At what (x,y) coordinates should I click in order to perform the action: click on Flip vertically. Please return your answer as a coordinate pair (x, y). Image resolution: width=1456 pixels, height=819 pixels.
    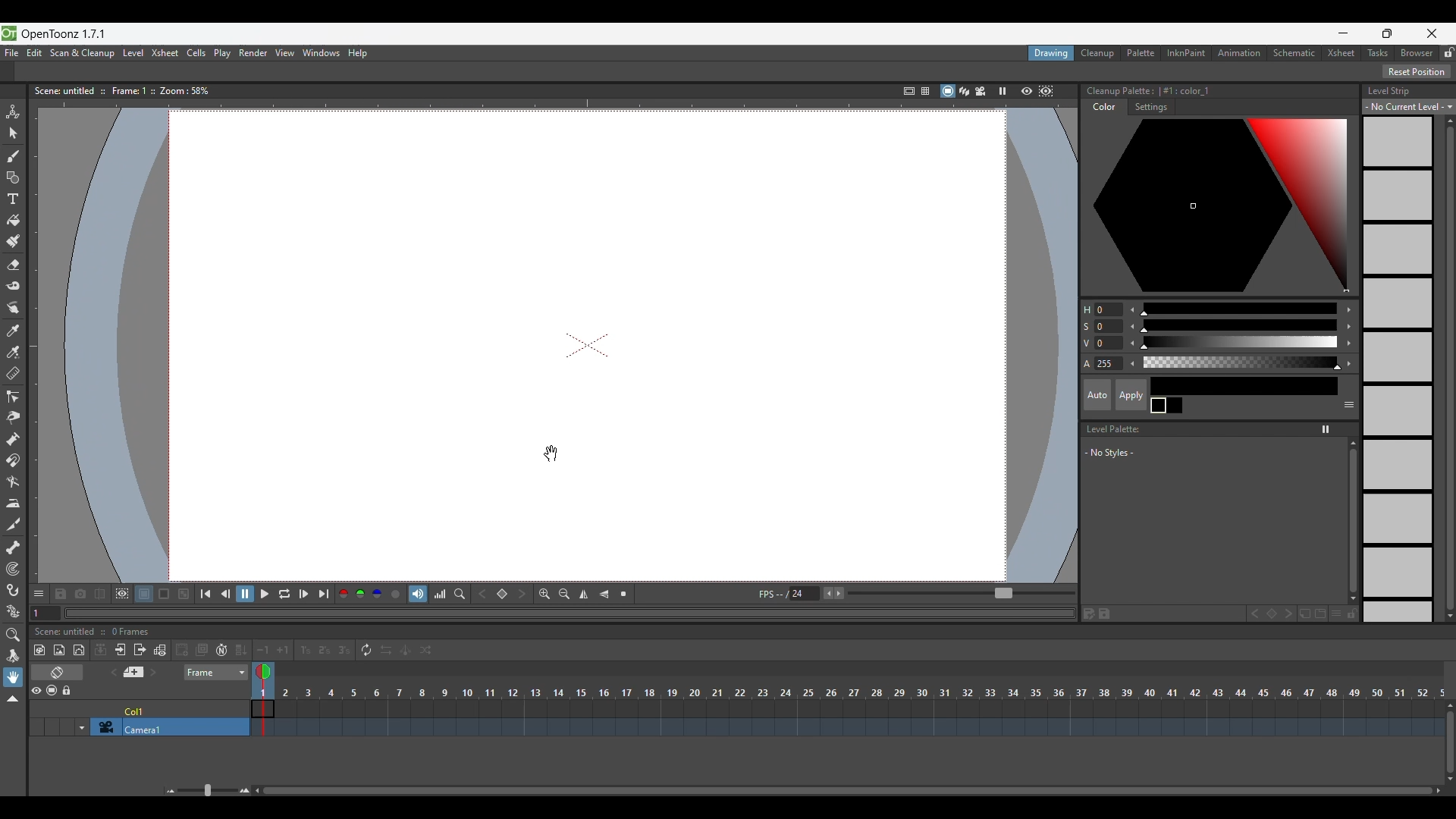
    Looking at the image, I should click on (604, 594).